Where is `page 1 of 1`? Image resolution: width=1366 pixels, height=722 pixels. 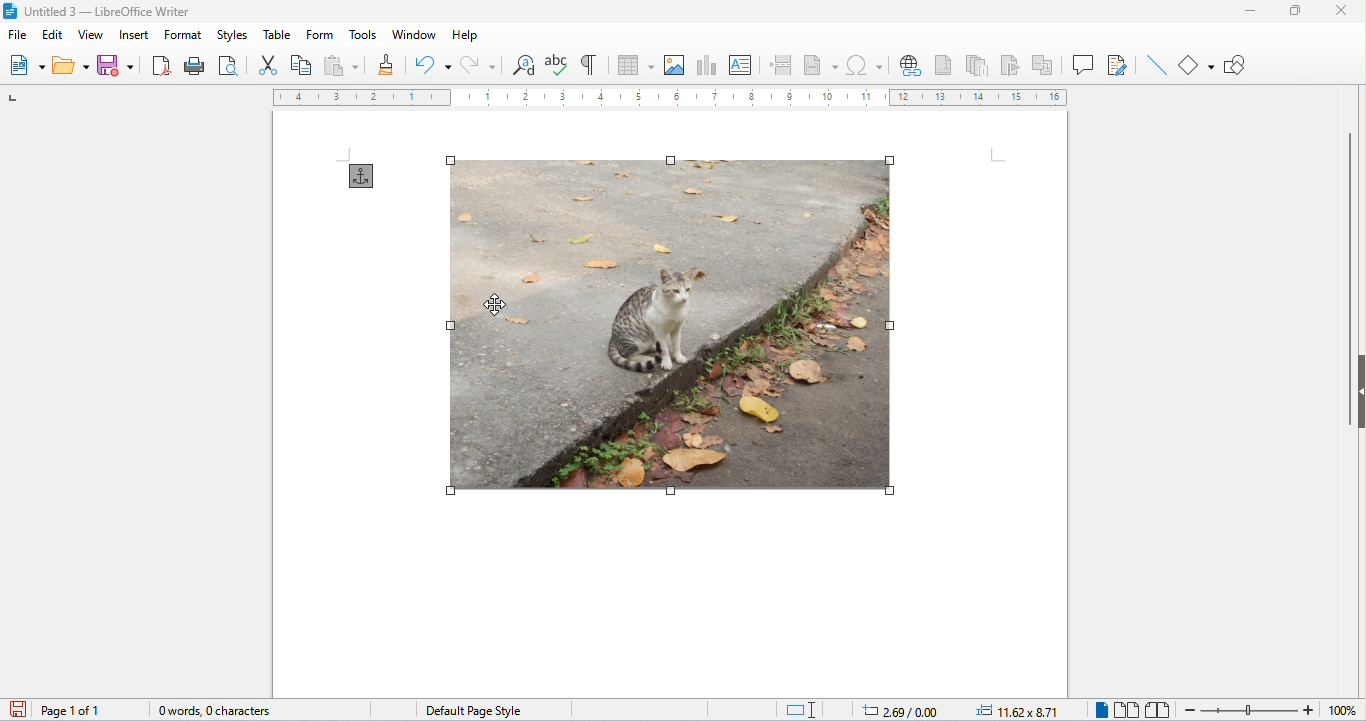 page 1 of 1 is located at coordinates (72, 710).